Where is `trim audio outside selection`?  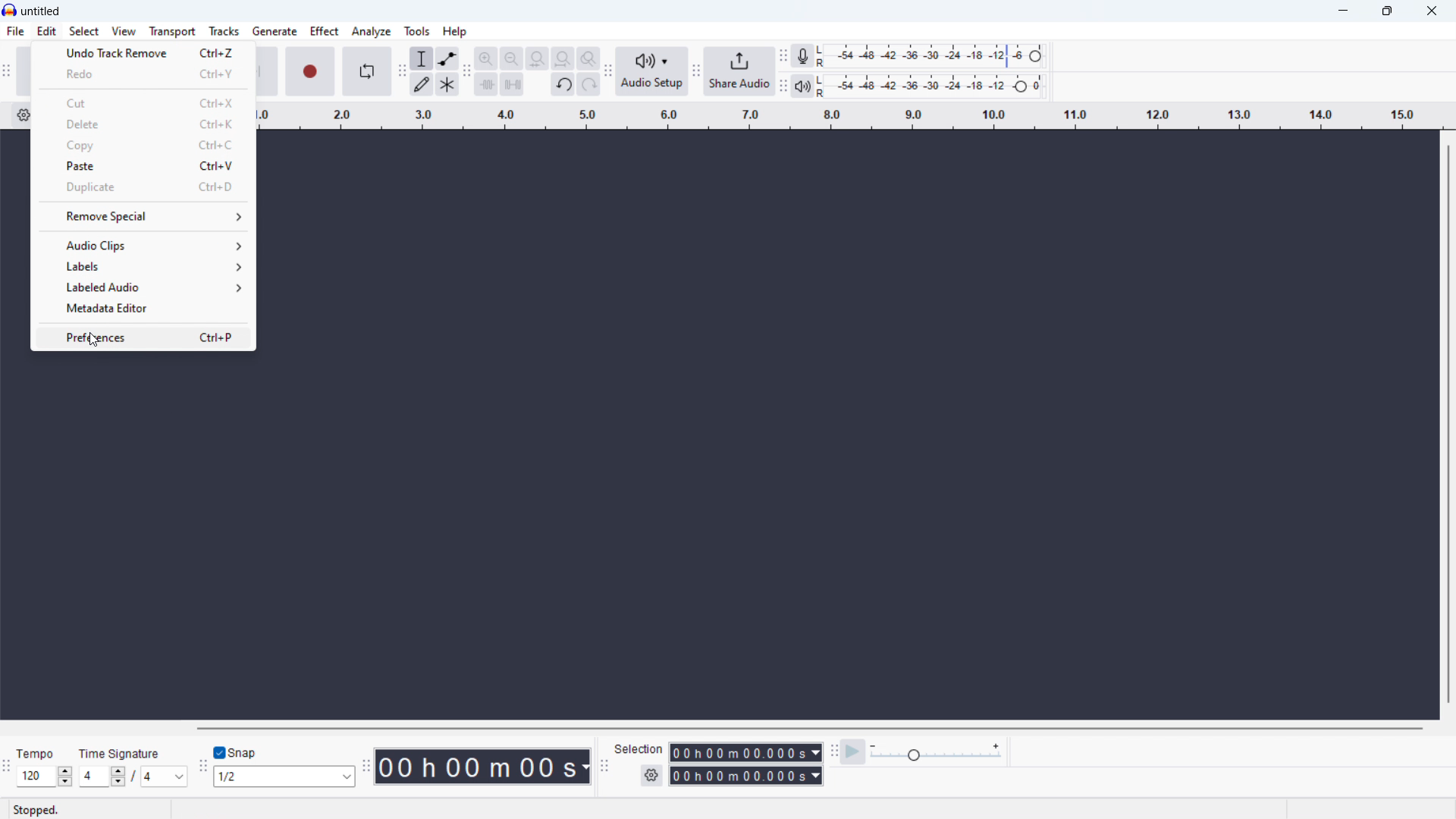 trim audio outside selection is located at coordinates (487, 85).